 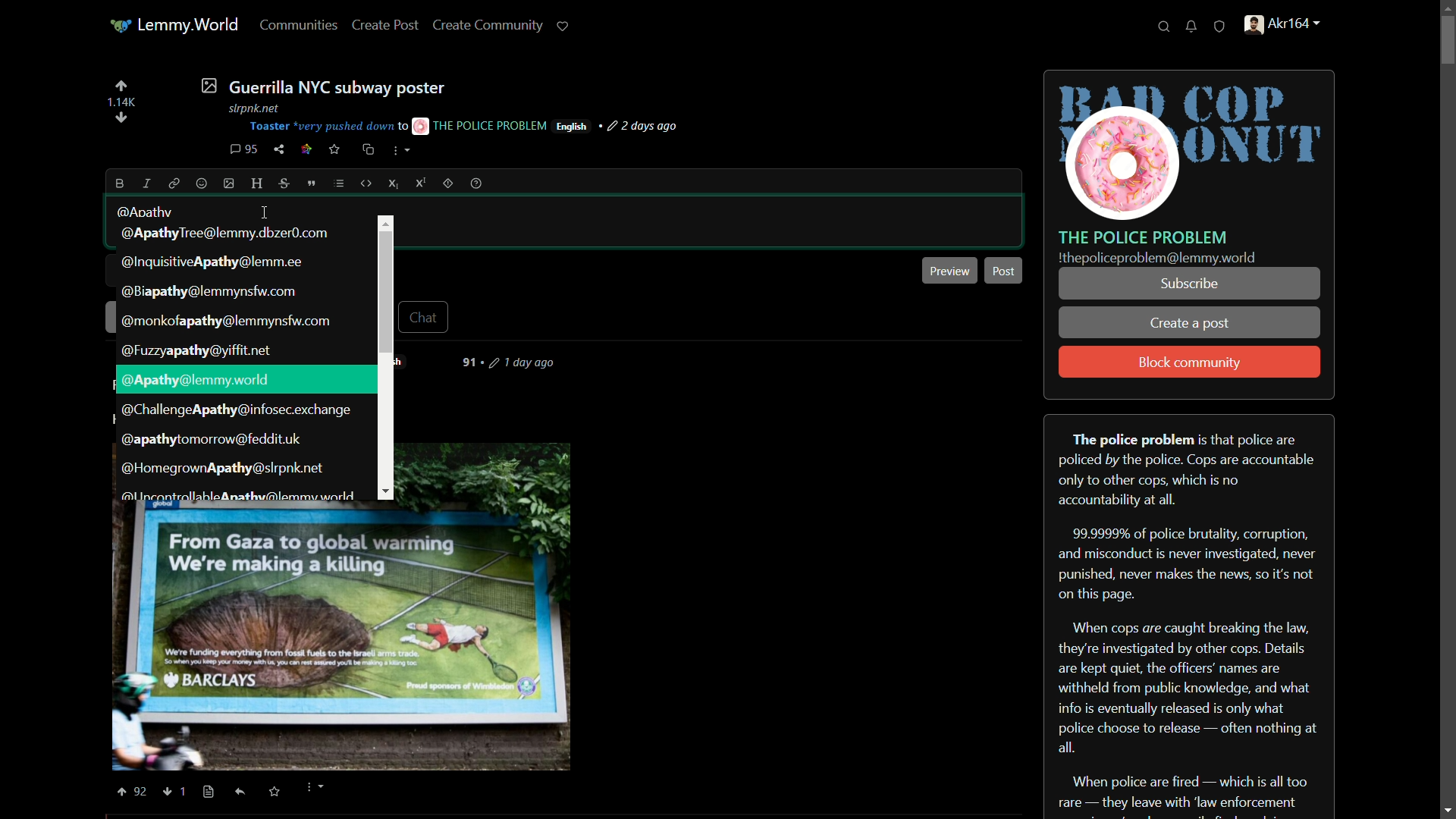 I want to click on cursor, so click(x=263, y=213).